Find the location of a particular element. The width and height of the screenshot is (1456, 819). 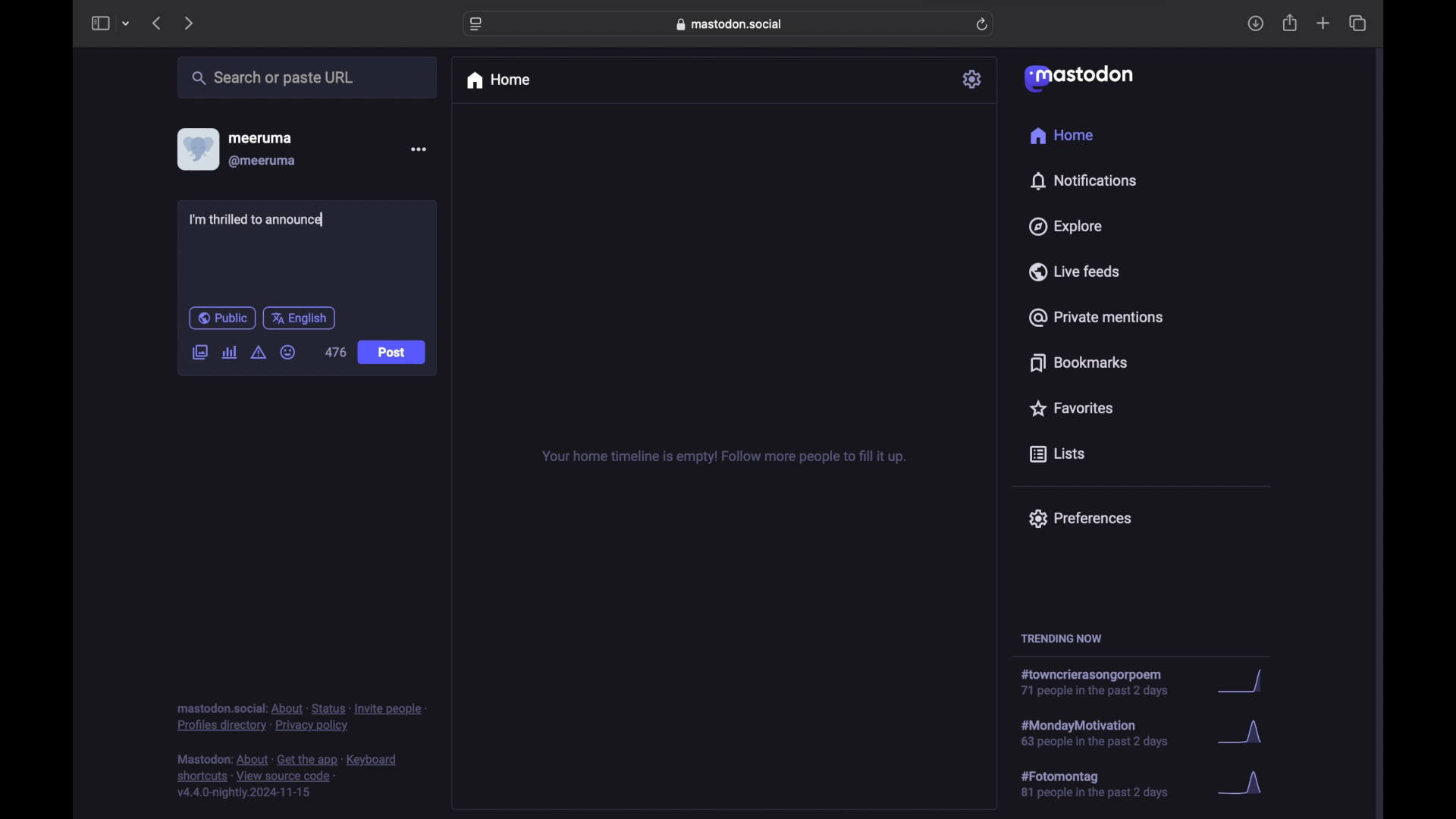

explore is located at coordinates (1066, 227).